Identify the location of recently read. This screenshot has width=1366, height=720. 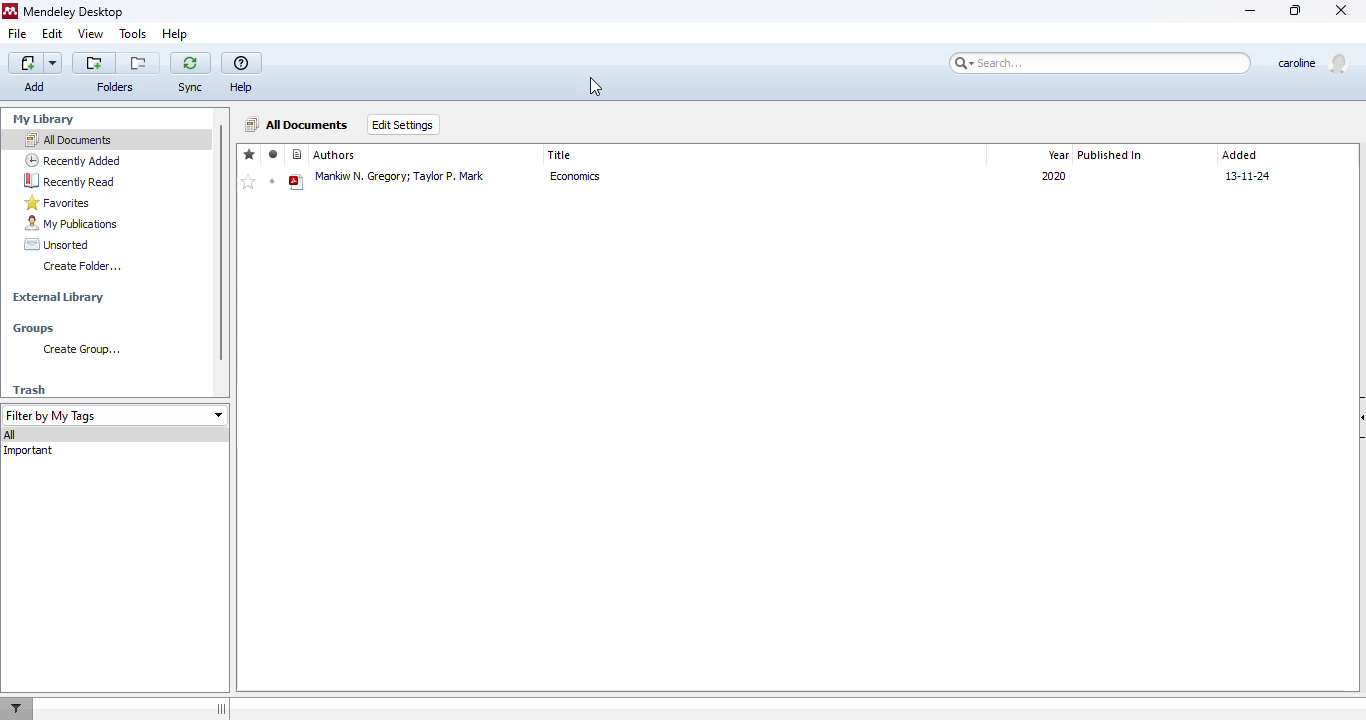
(68, 180).